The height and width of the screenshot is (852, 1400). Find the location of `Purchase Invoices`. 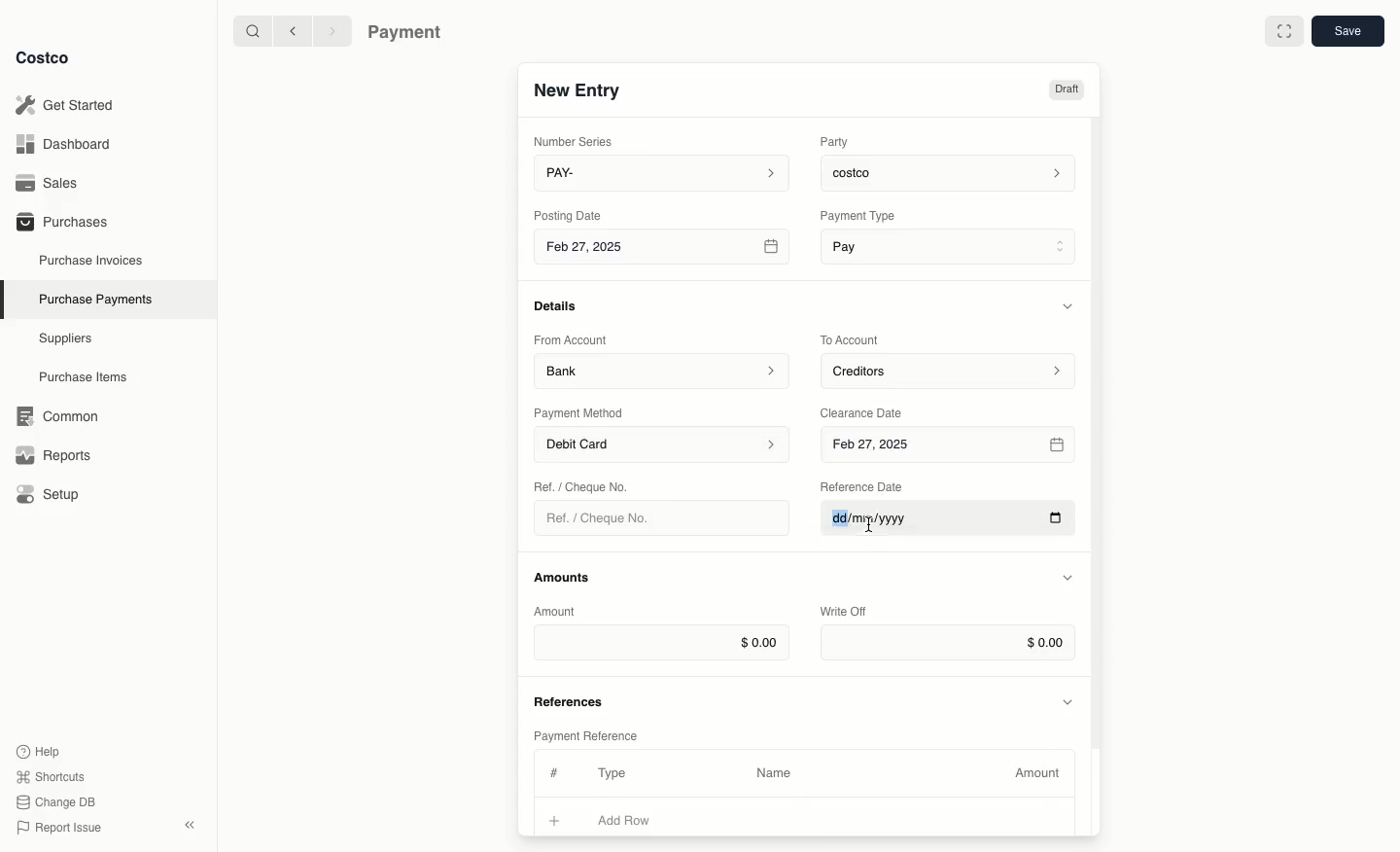

Purchase Invoices is located at coordinates (92, 260).